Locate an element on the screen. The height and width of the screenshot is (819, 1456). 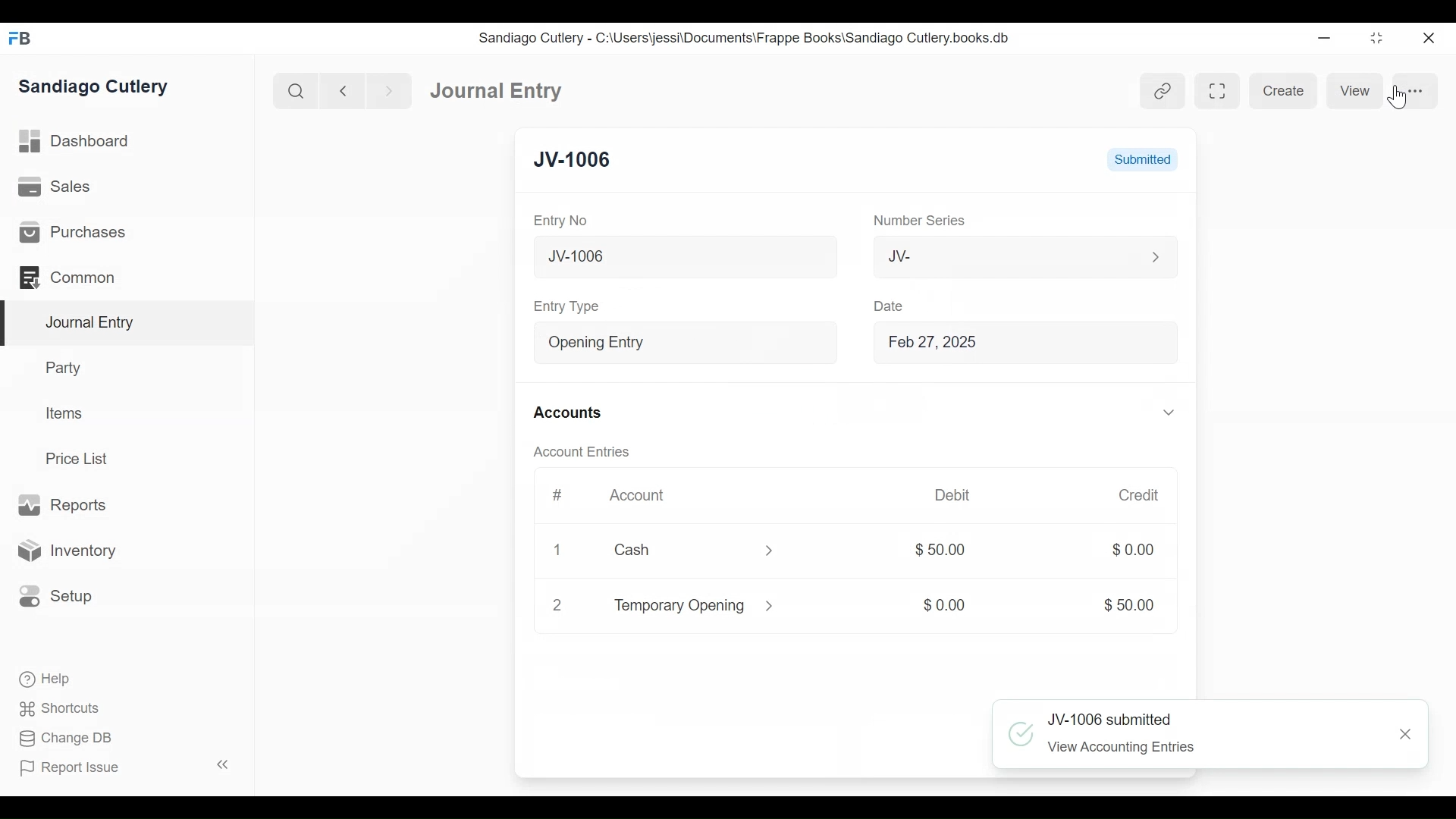
Close is located at coordinates (1406, 734).